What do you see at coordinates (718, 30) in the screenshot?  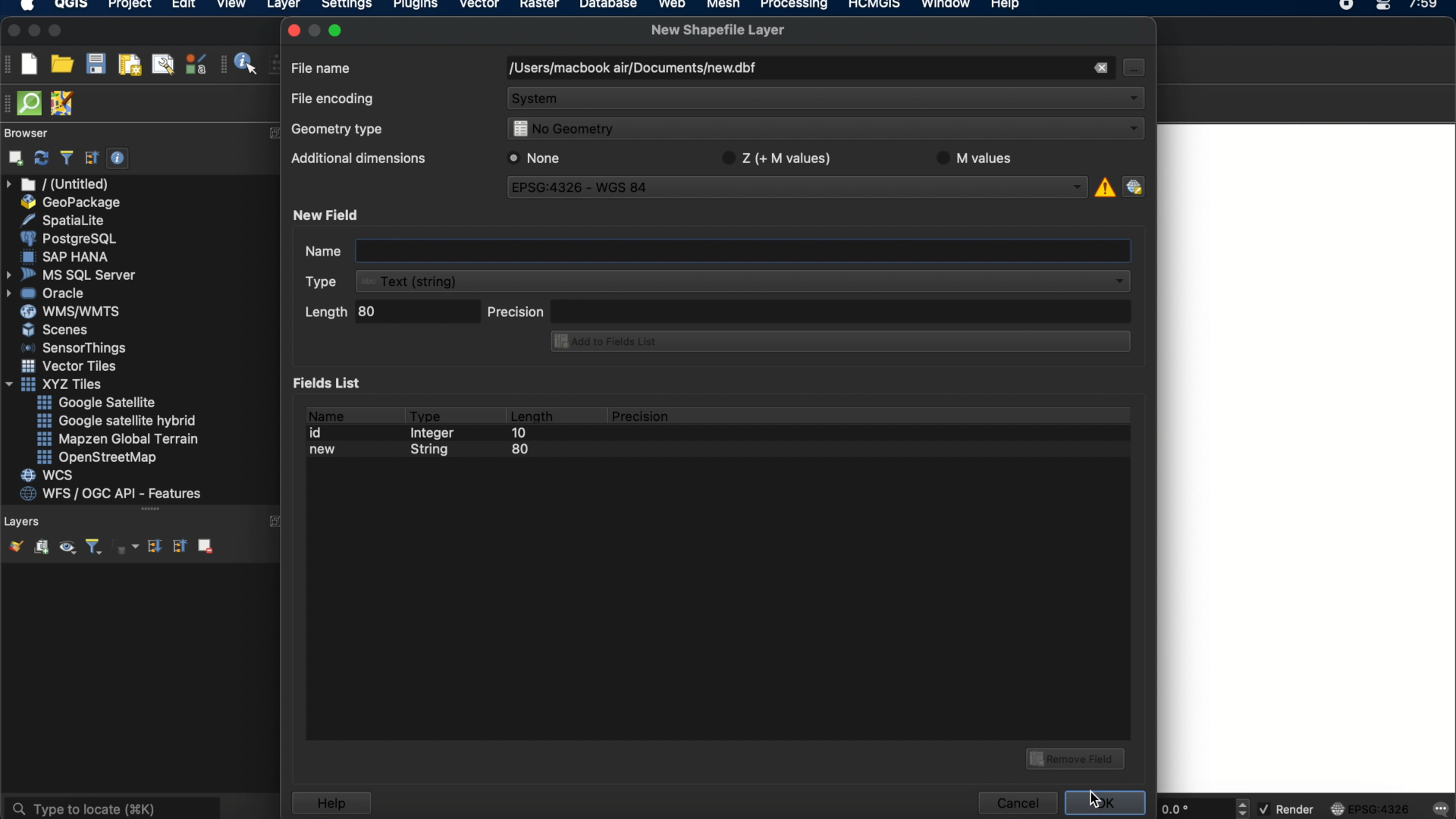 I see `new shaoefile layer` at bounding box center [718, 30].